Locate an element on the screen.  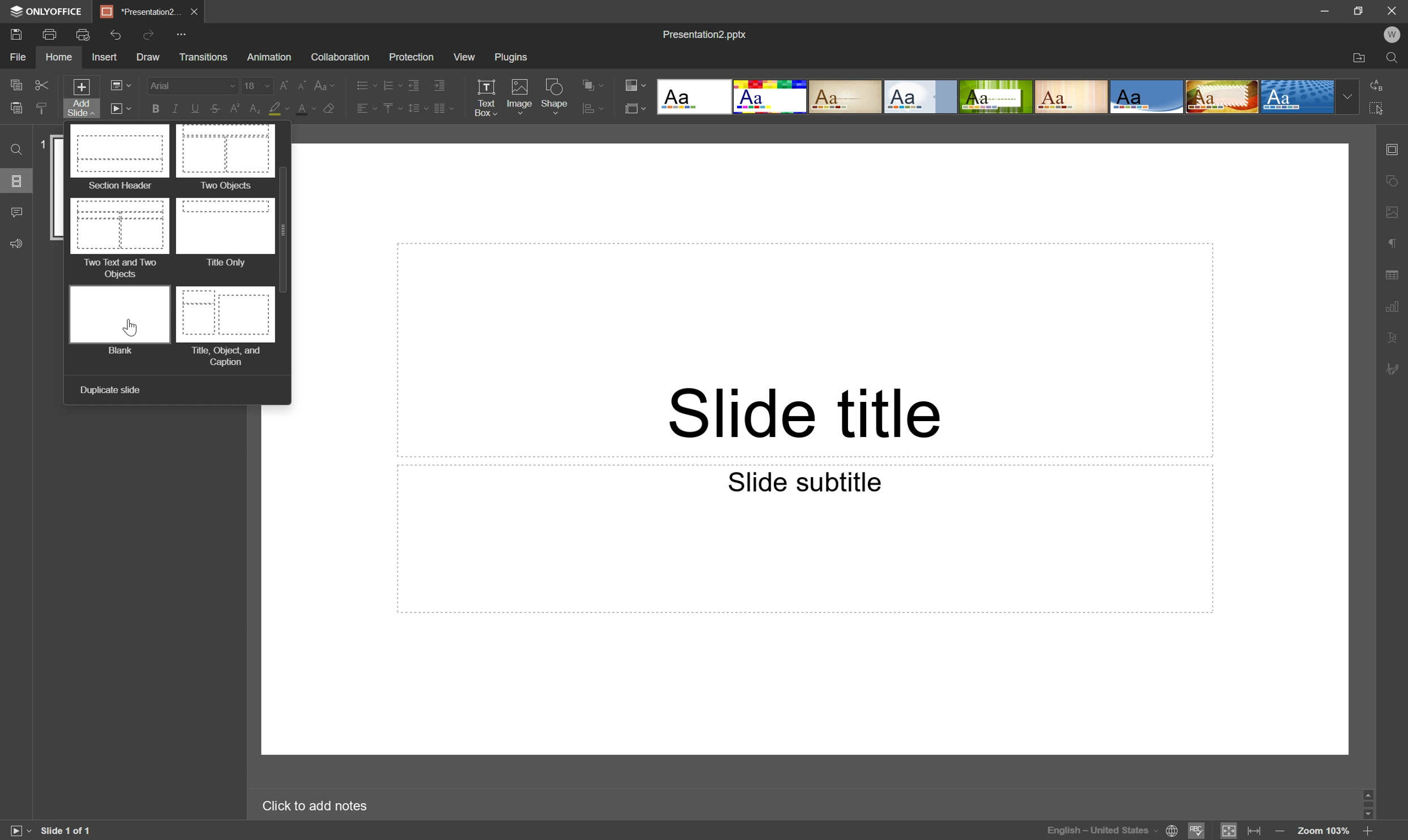
Scroll Down is located at coordinates (1364, 811).